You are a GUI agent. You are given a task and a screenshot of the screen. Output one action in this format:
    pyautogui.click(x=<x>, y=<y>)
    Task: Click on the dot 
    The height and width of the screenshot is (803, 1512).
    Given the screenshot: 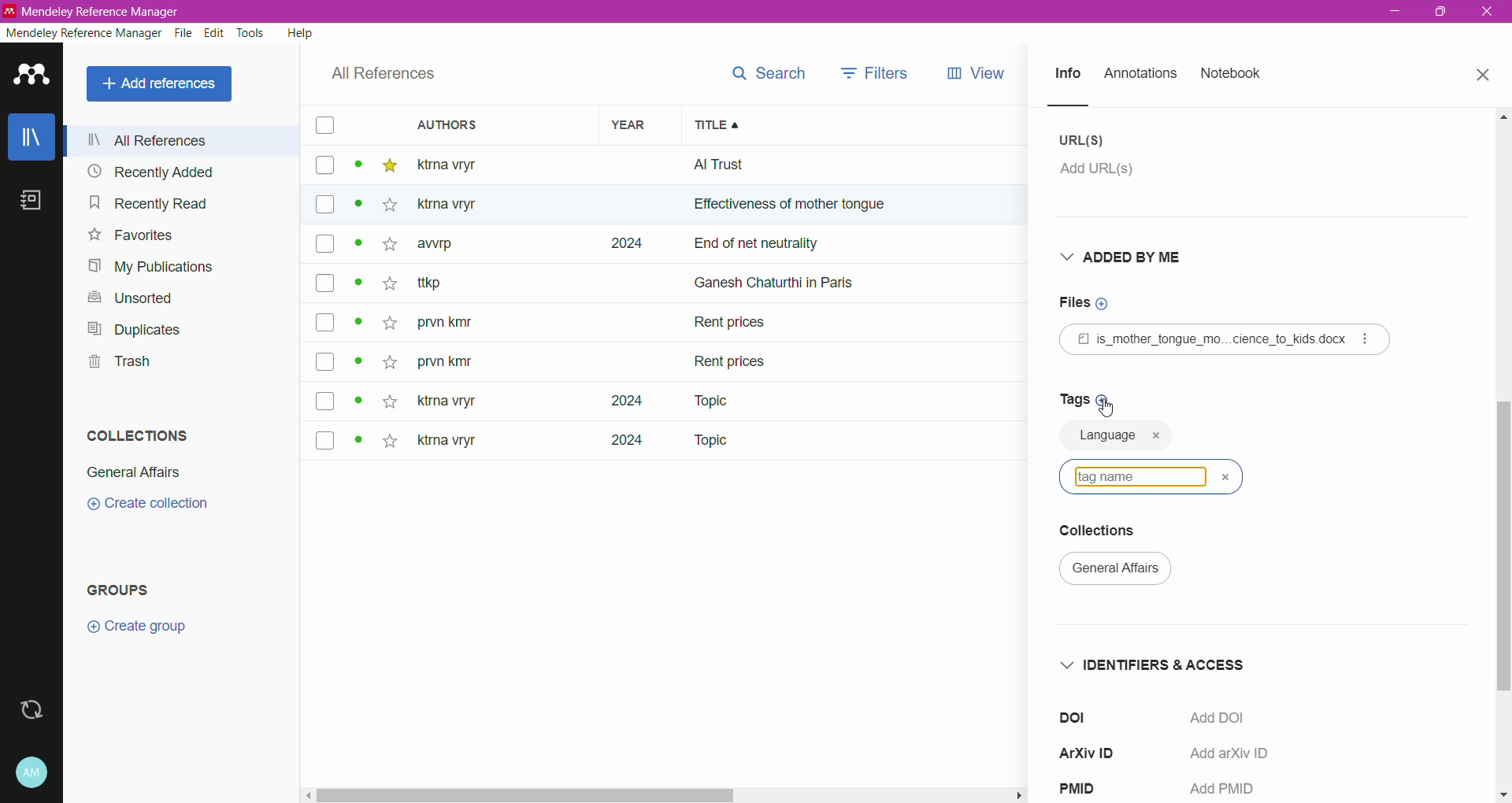 What is the action you would take?
    pyautogui.click(x=360, y=401)
    